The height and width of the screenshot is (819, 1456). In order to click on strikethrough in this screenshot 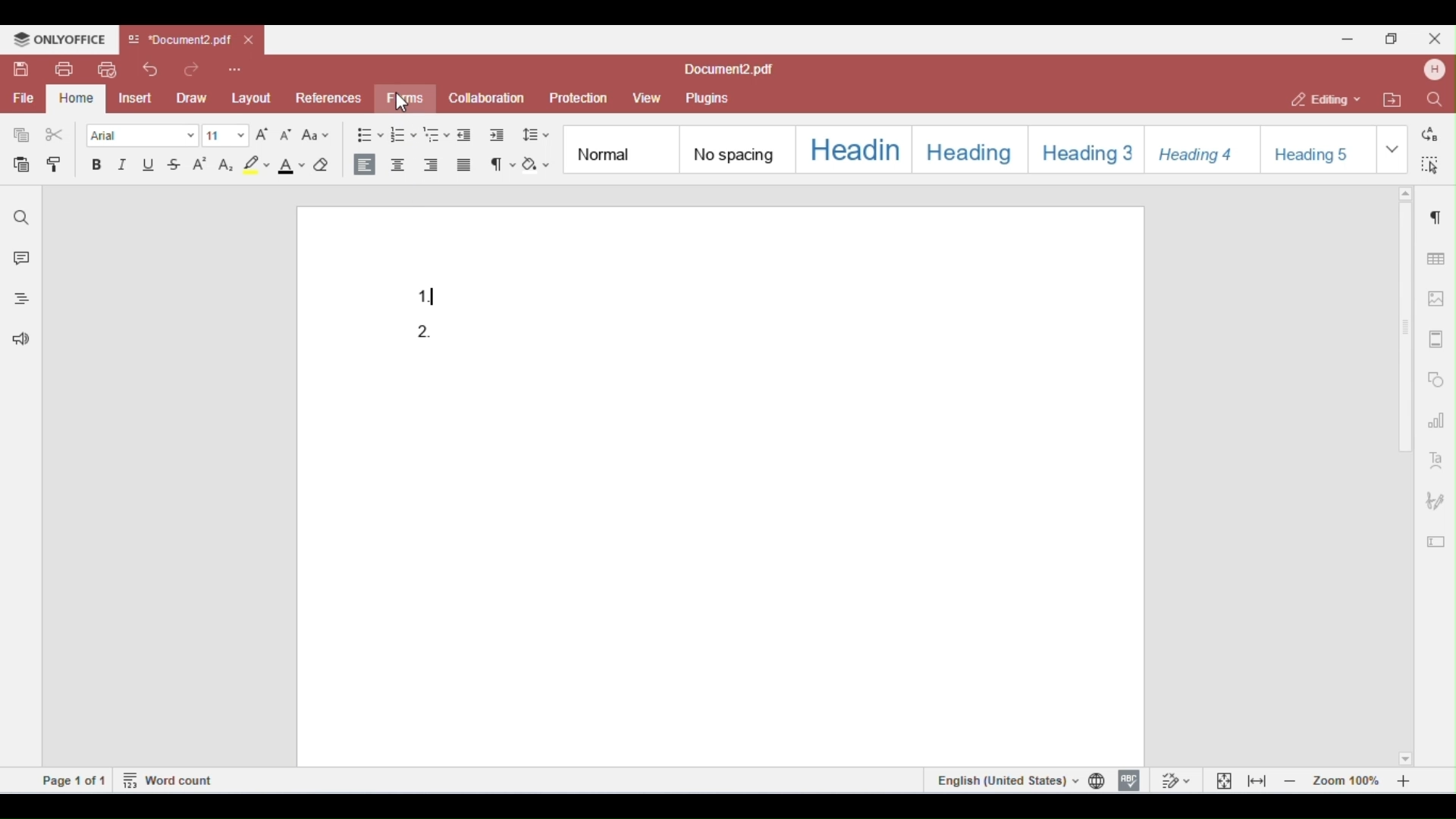, I will do `click(174, 164)`.